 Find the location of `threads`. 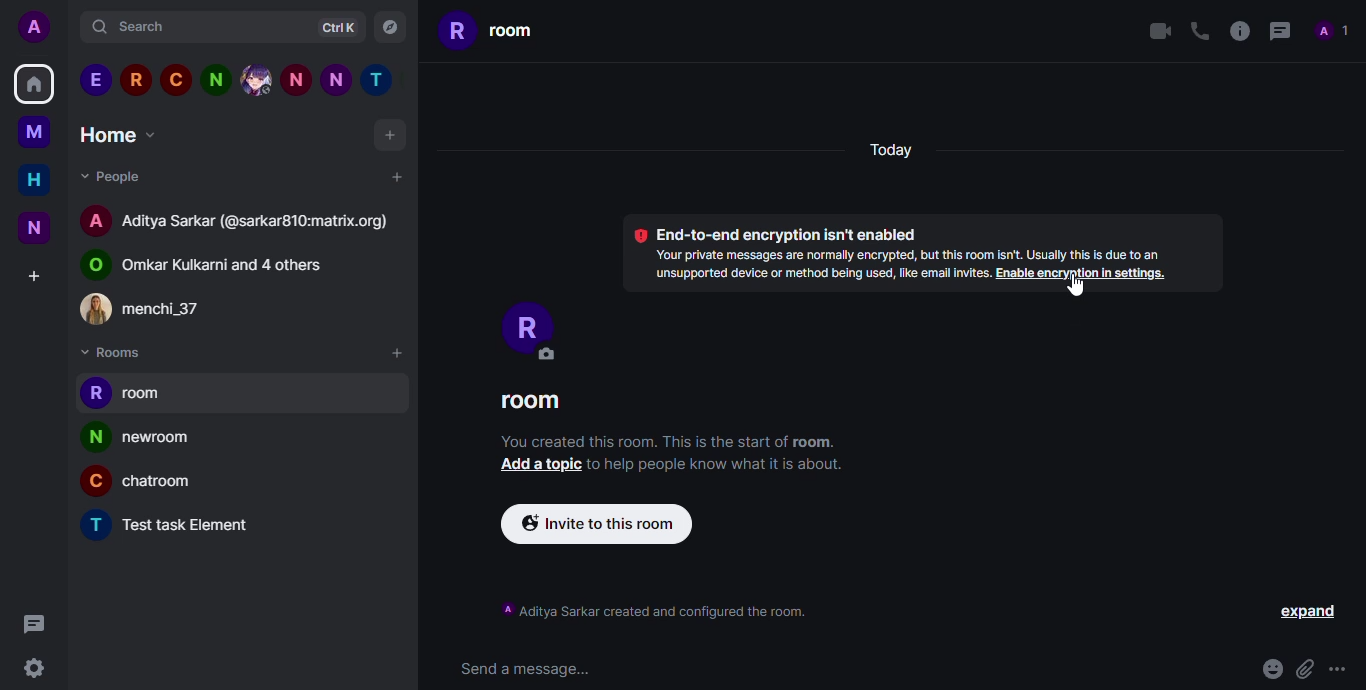

threads is located at coordinates (31, 622).